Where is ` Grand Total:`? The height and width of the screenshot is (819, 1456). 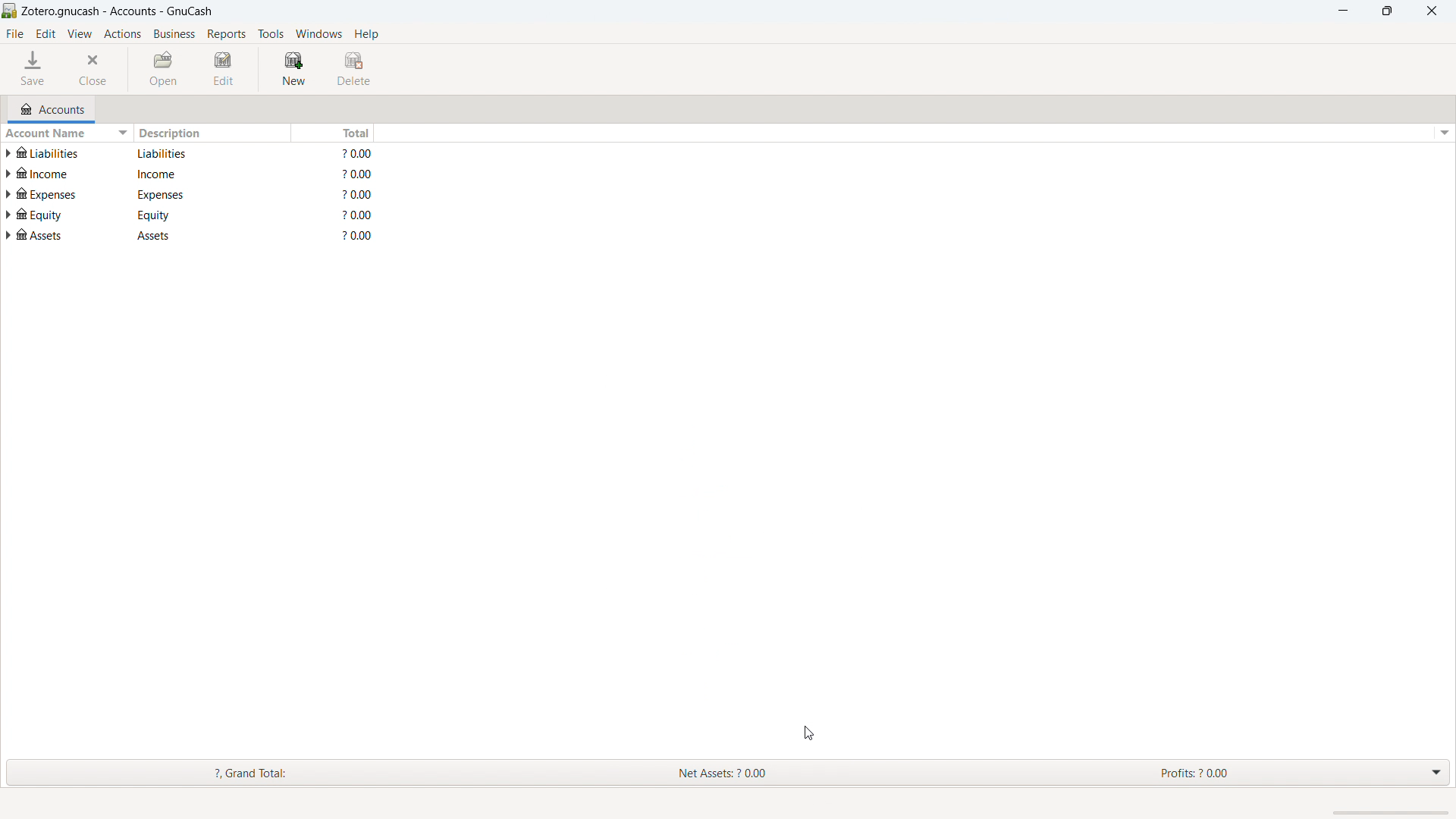  Grand Total: is located at coordinates (275, 773).